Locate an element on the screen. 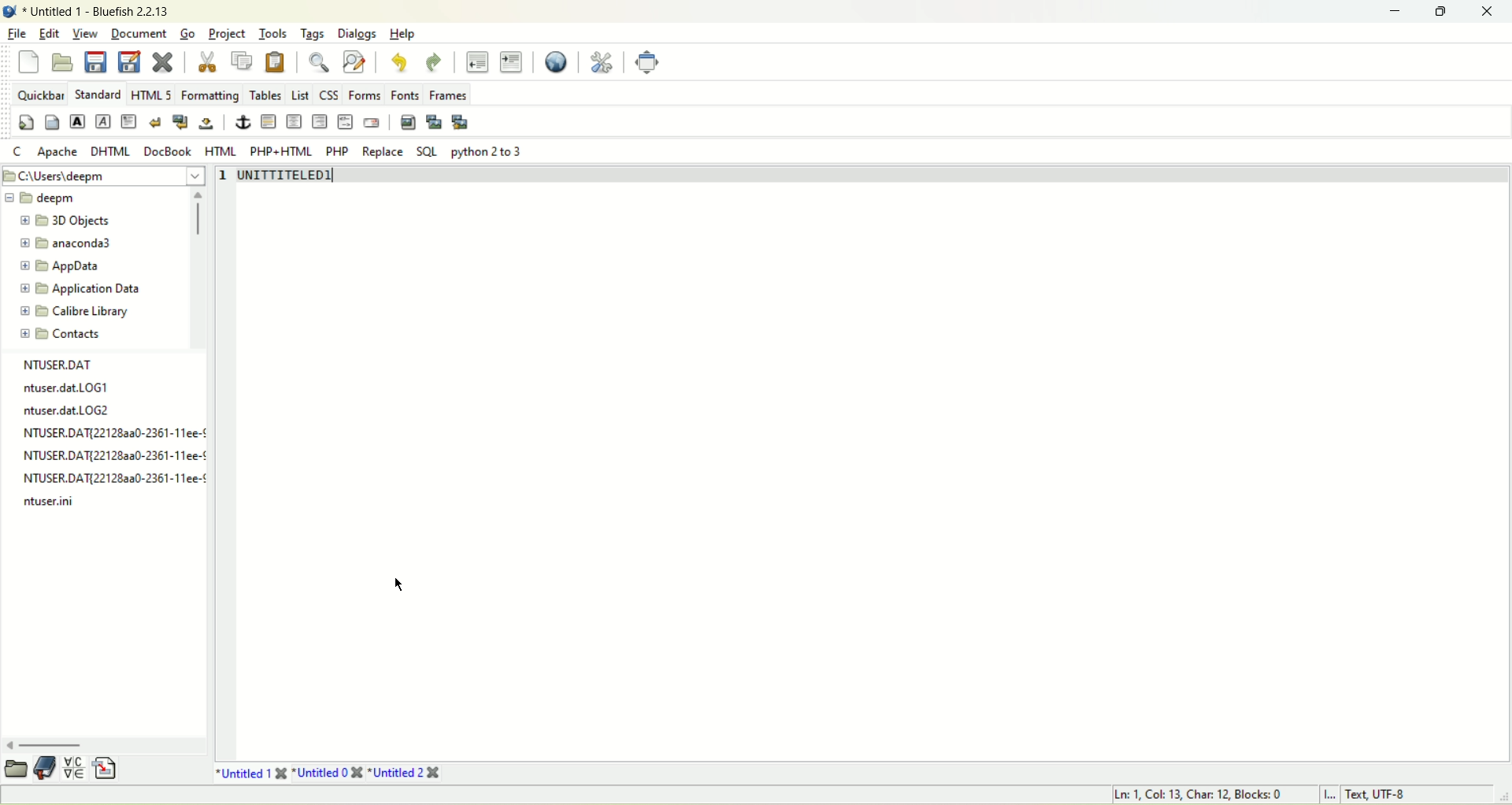 The width and height of the screenshot is (1512, 805). Tables is located at coordinates (266, 95).